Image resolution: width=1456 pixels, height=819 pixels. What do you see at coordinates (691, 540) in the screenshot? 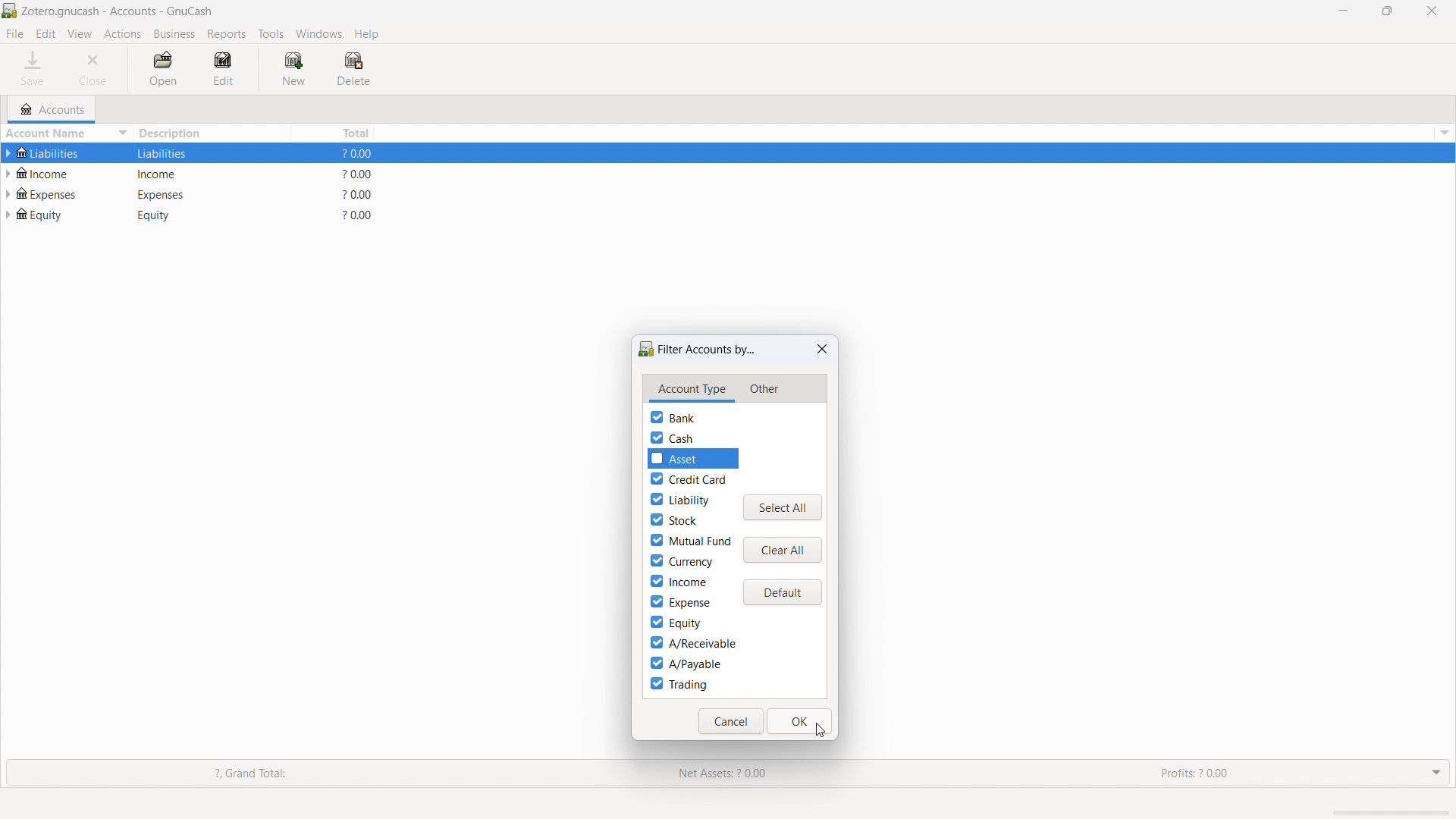
I see `mutual fund` at bounding box center [691, 540].